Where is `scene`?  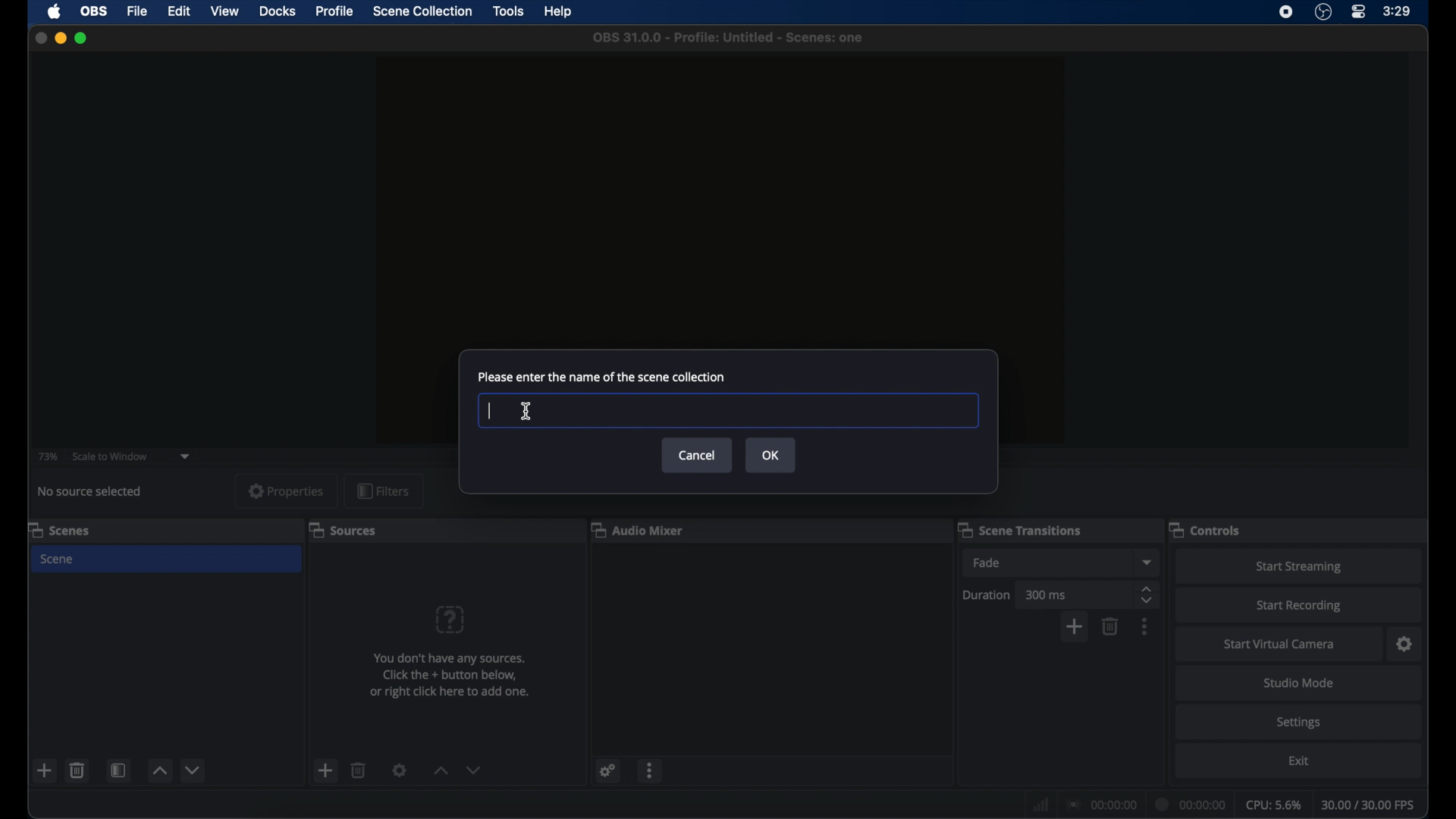 scene is located at coordinates (58, 559).